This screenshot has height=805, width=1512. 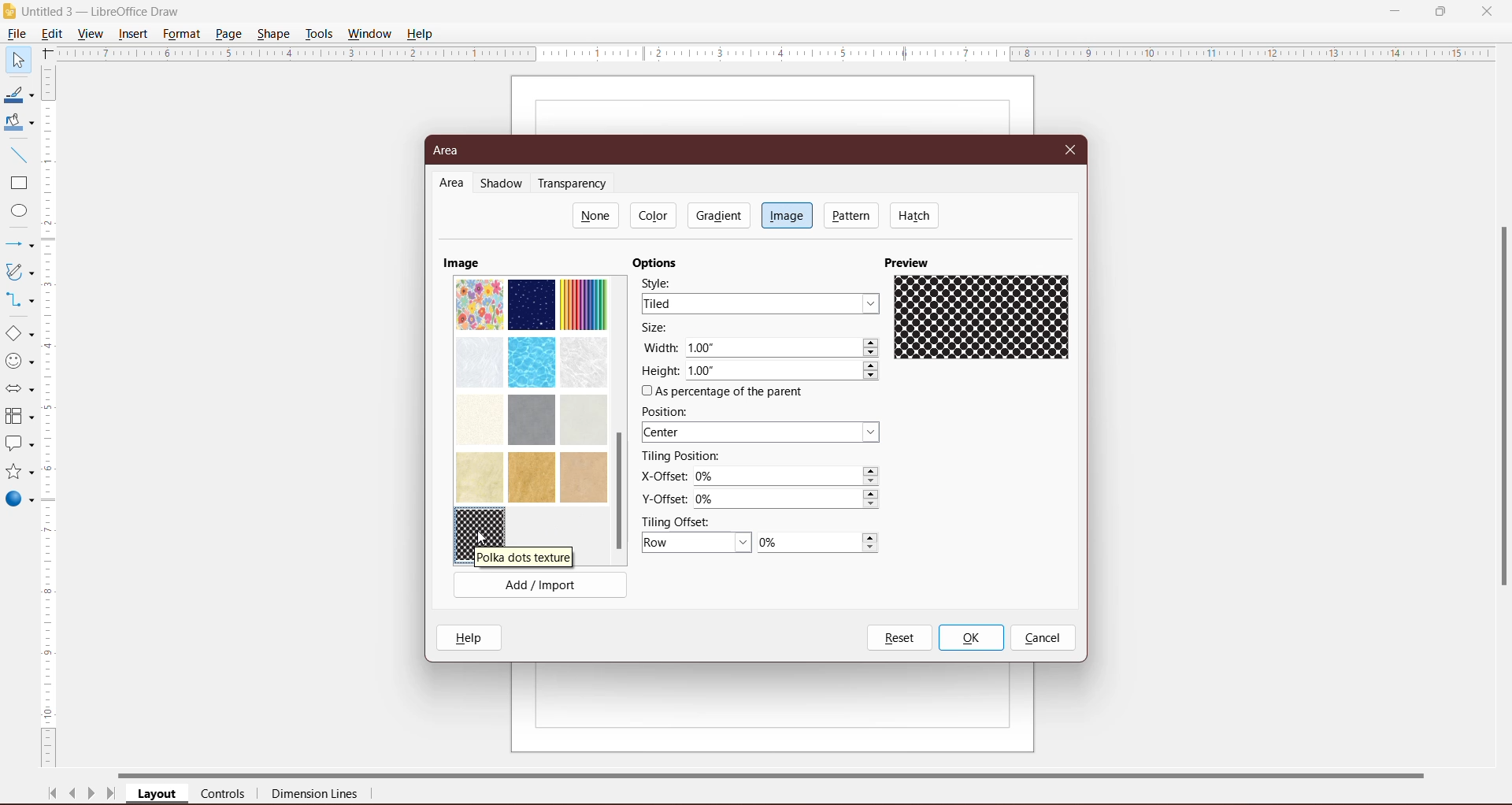 What do you see at coordinates (596, 215) in the screenshot?
I see `None` at bounding box center [596, 215].